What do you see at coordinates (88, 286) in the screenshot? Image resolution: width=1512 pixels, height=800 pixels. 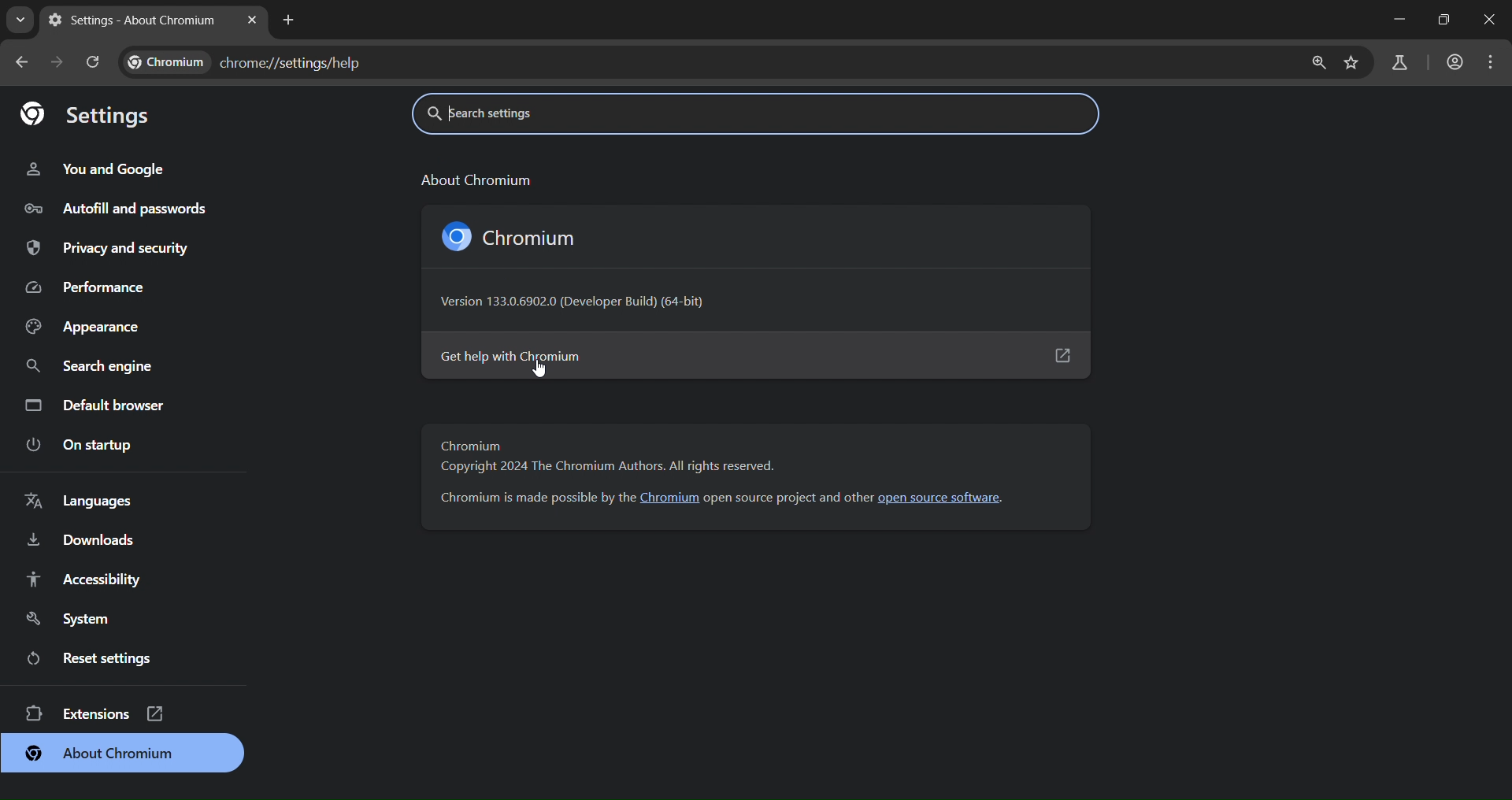 I see `performance` at bounding box center [88, 286].